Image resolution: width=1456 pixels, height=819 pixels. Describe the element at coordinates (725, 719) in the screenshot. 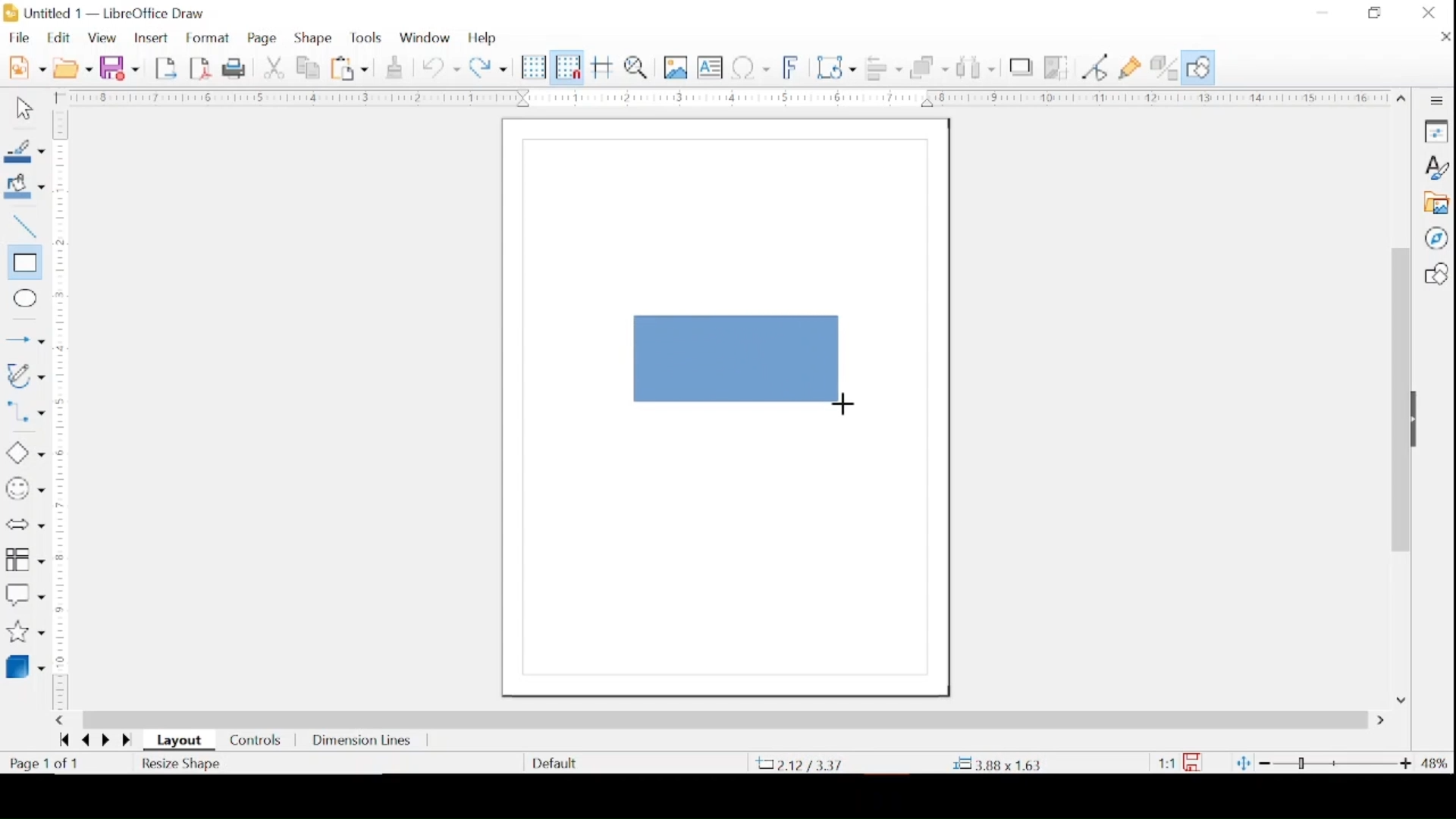

I see `scroll box` at that location.